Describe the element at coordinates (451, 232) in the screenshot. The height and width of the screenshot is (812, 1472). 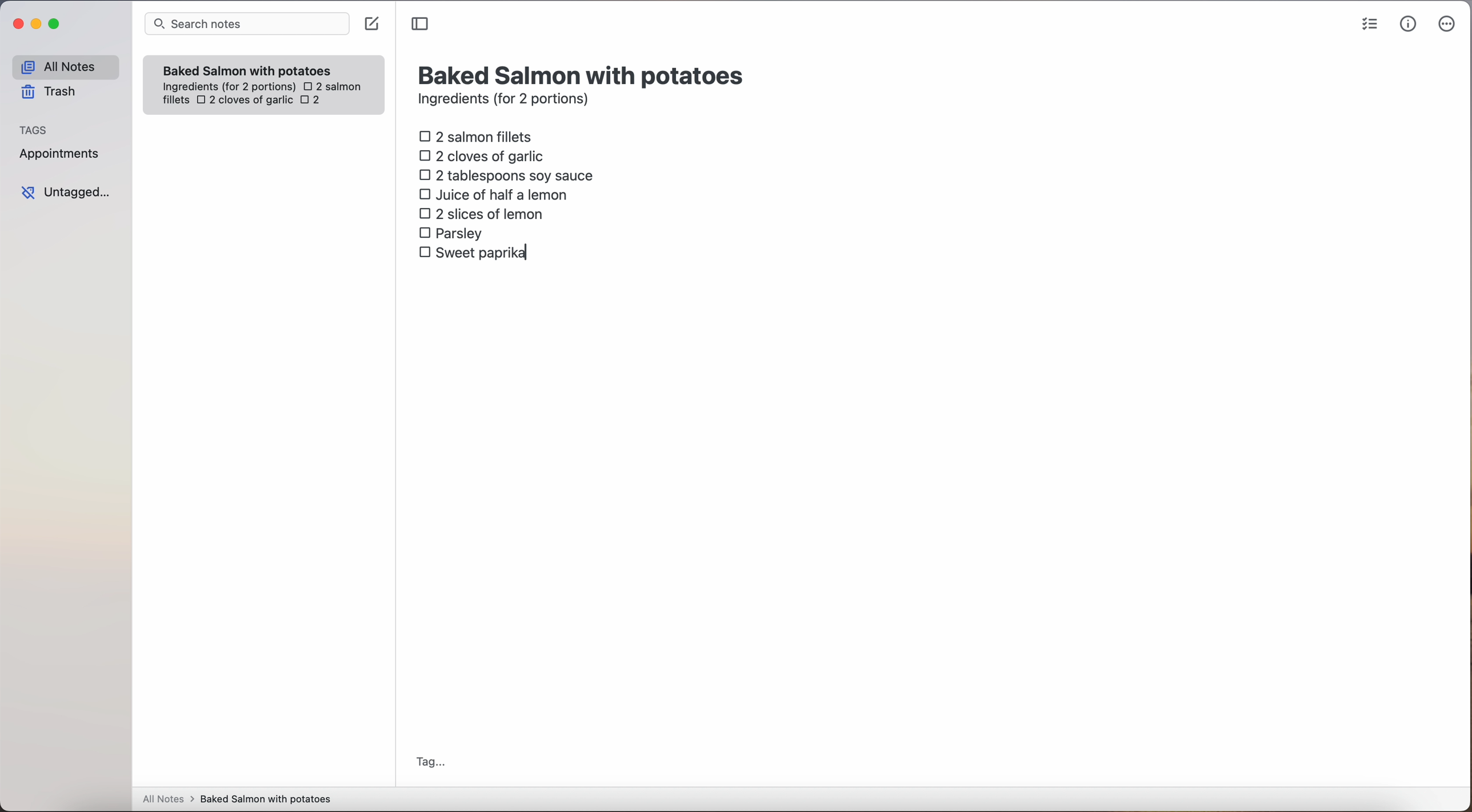
I see `parsley` at that location.